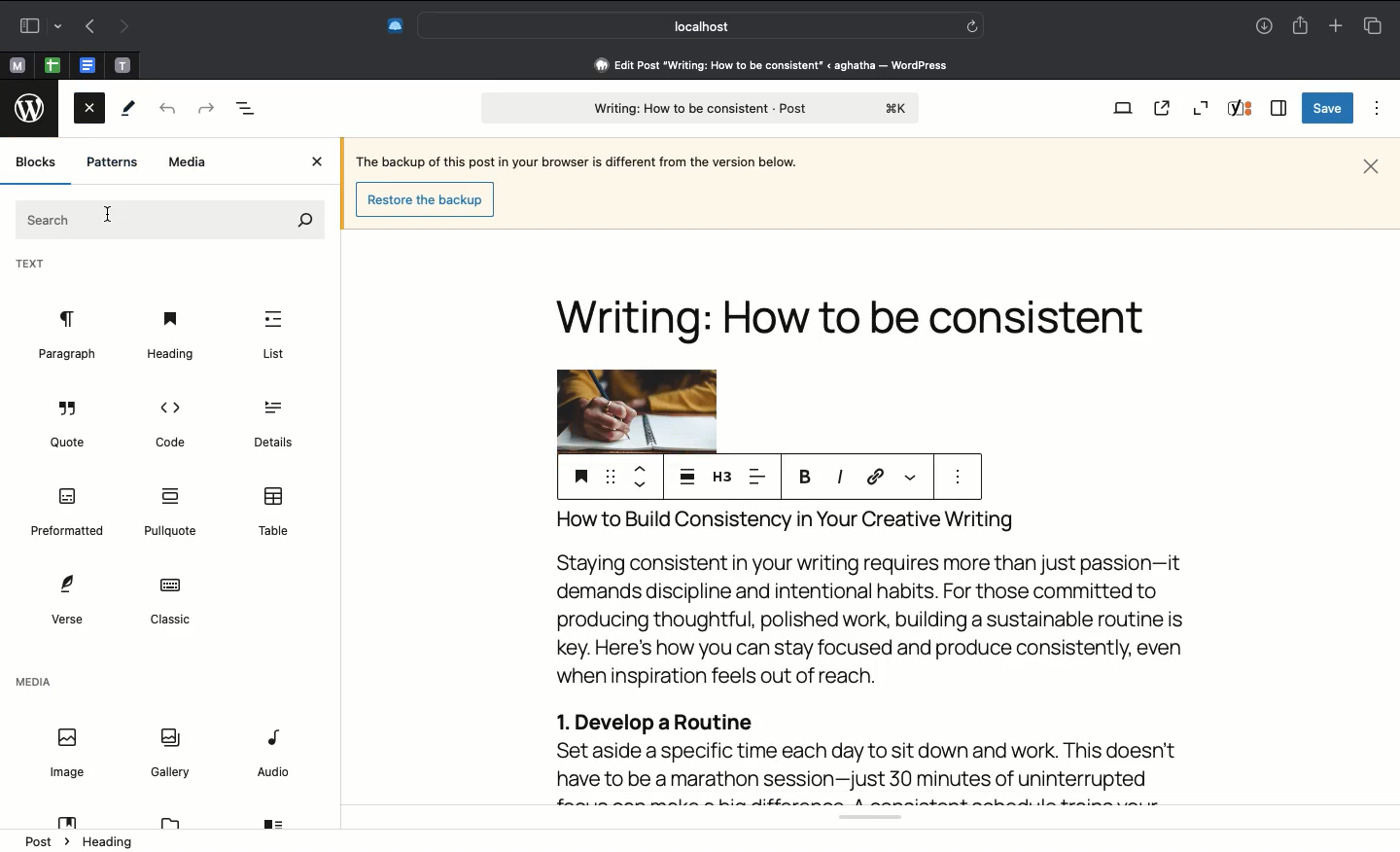 This screenshot has width=1400, height=852. What do you see at coordinates (68, 513) in the screenshot?
I see `Preformatted` at bounding box center [68, 513].